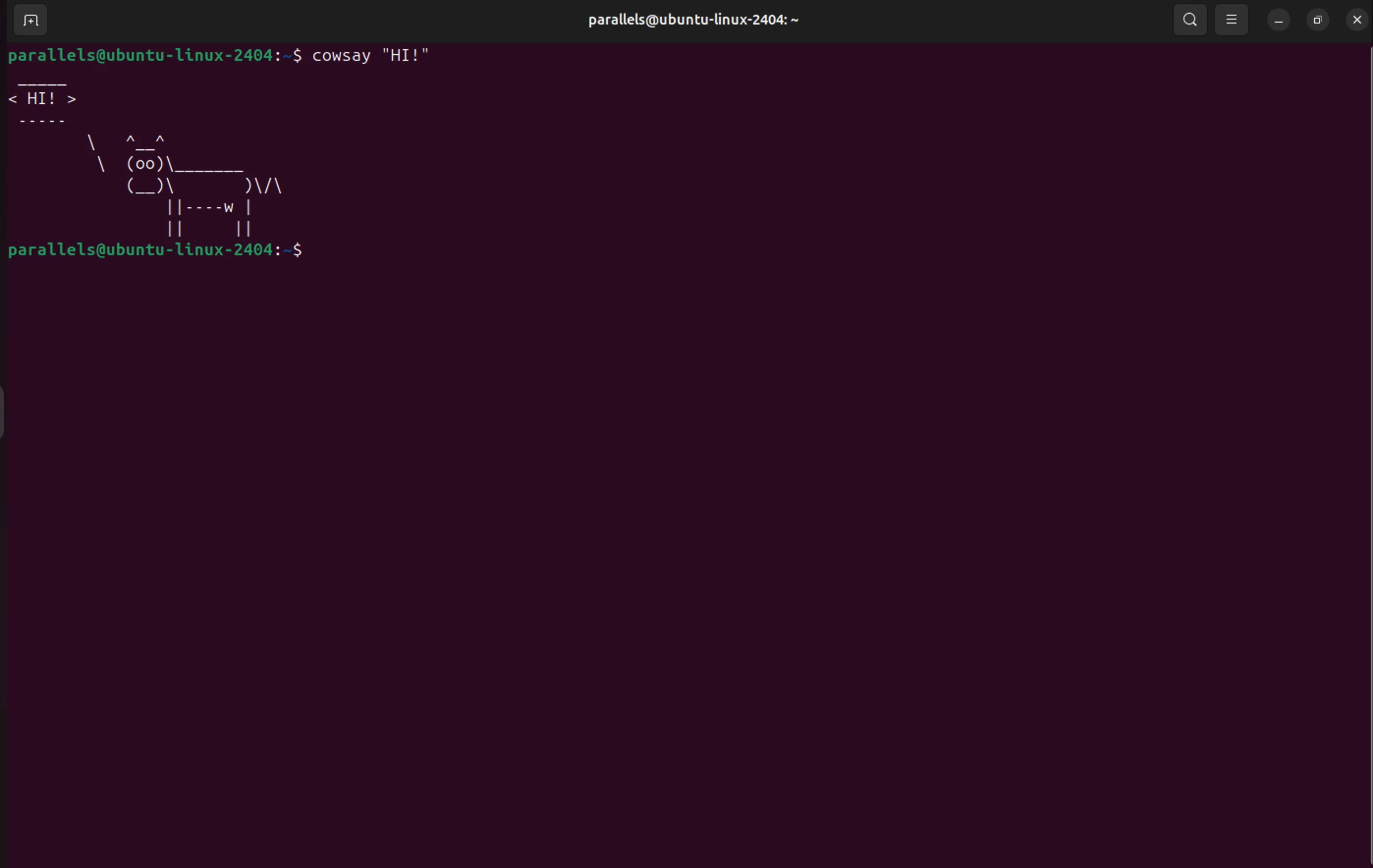 Image resolution: width=1373 pixels, height=868 pixels. I want to click on search, so click(1191, 20).